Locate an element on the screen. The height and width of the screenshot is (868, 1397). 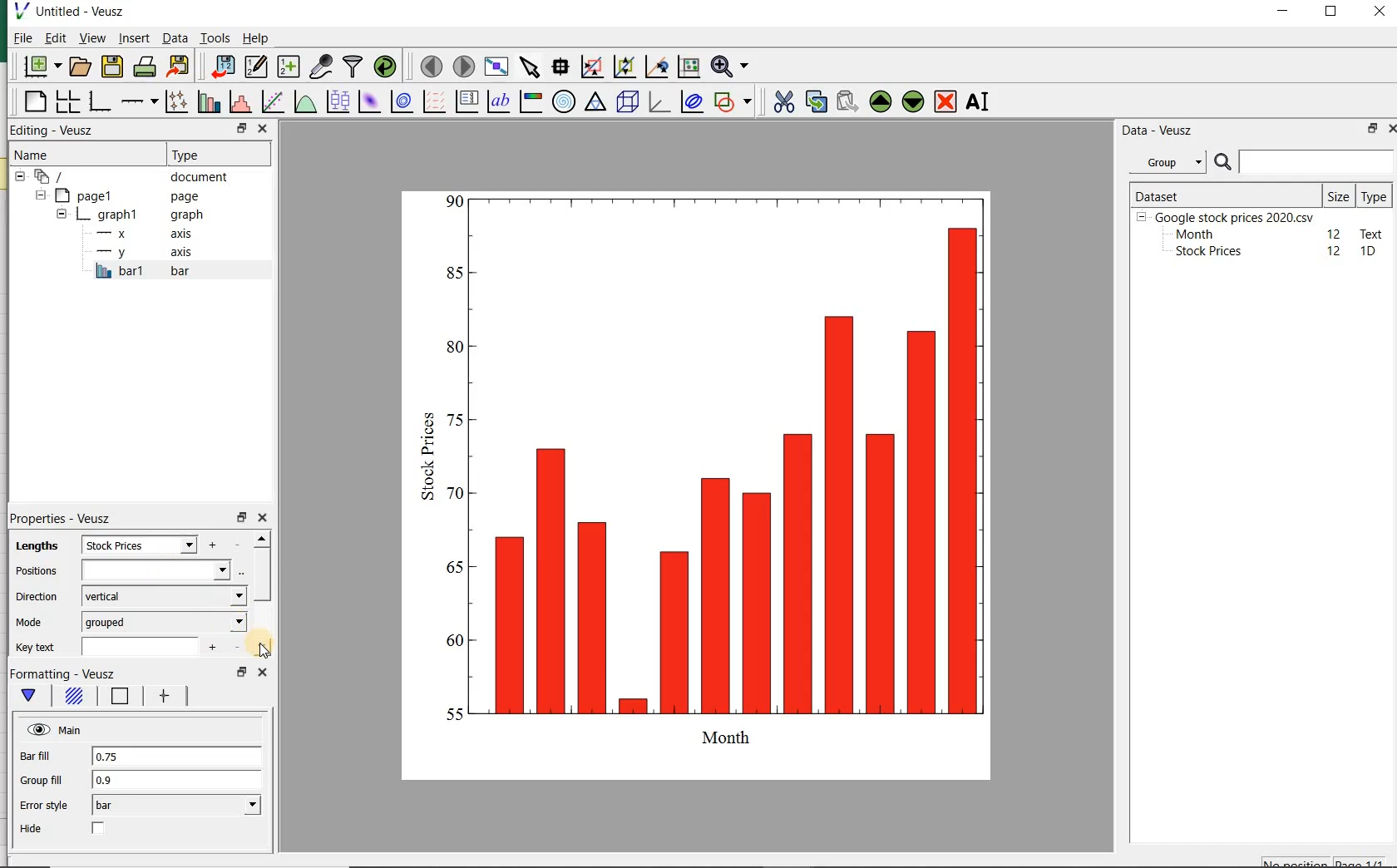
click to recenter graph axes is located at coordinates (654, 67).